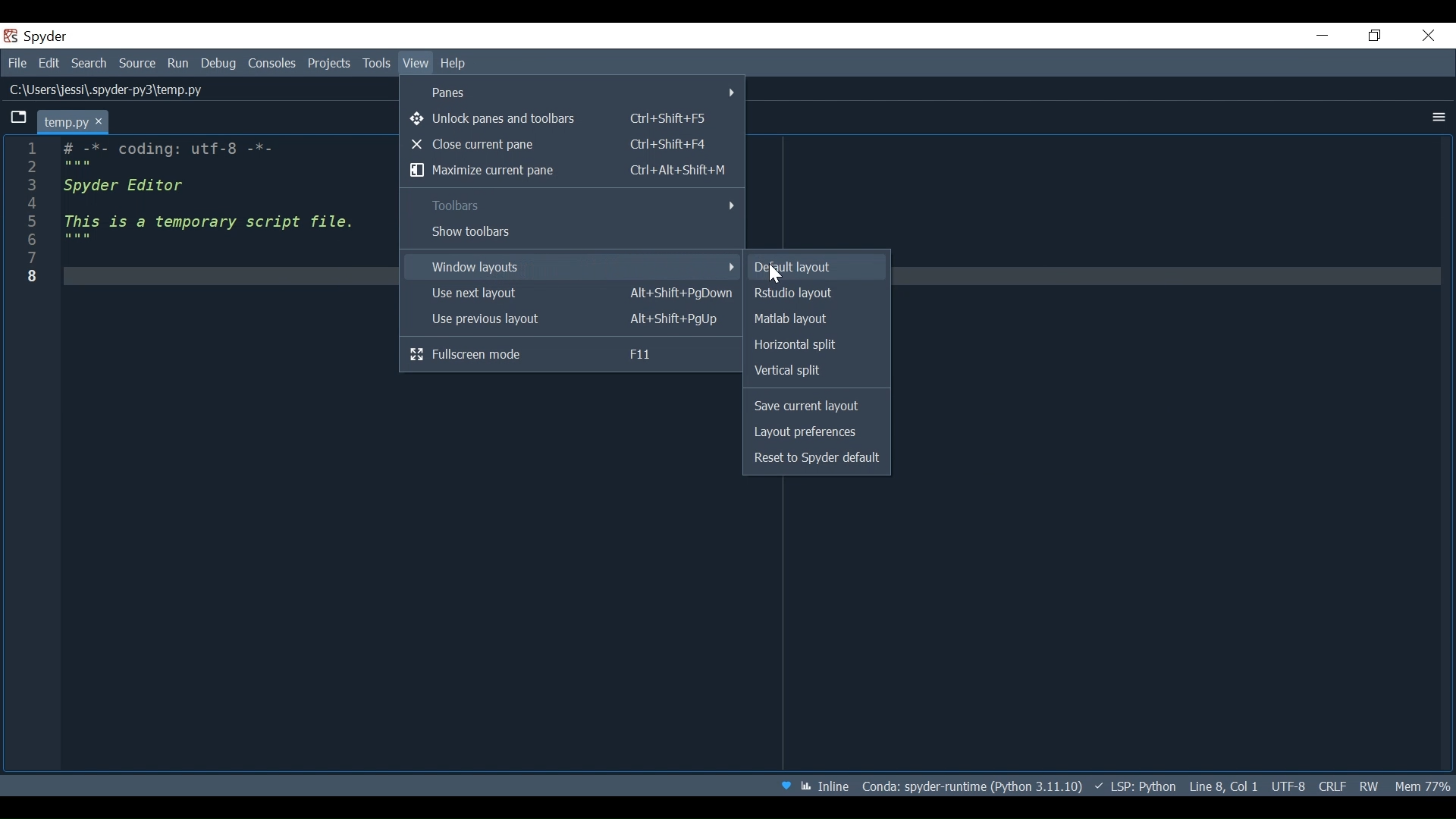 This screenshot has width=1456, height=819. I want to click on Console, so click(272, 64).